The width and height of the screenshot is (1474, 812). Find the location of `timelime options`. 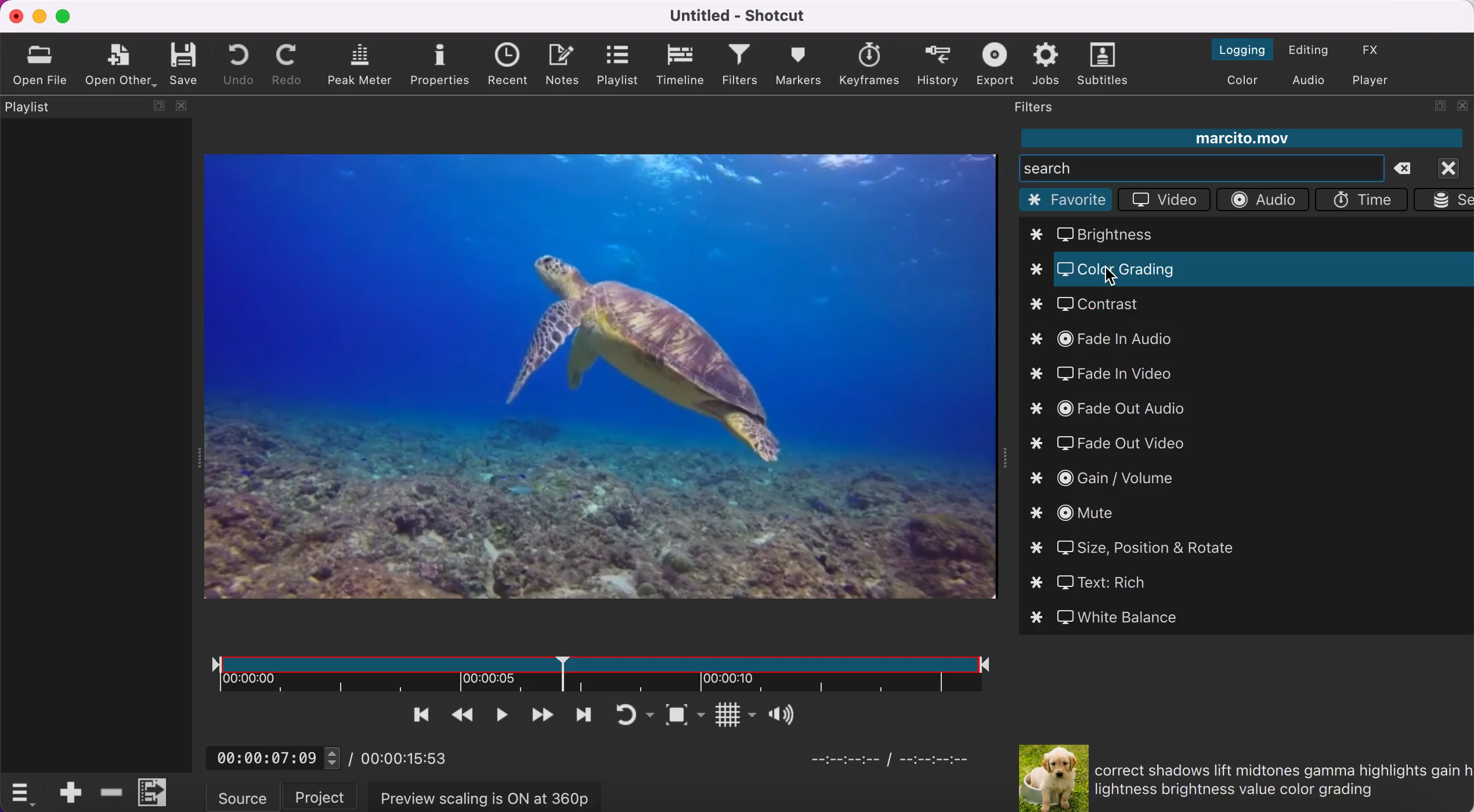

timelime options is located at coordinates (24, 793).